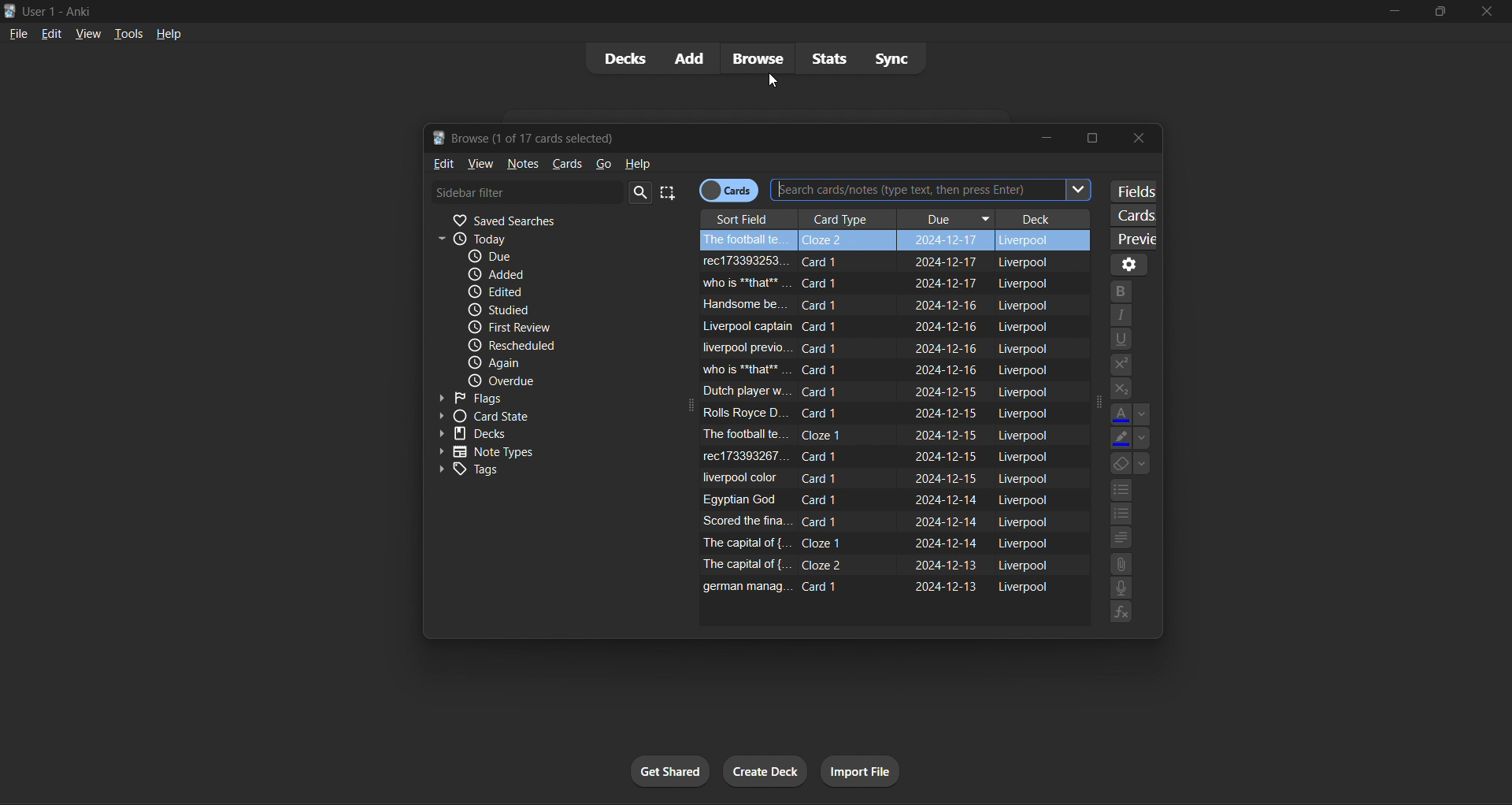 The width and height of the screenshot is (1512, 805). Describe the element at coordinates (537, 190) in the screenshot. I see `card filter search bar` at that location.